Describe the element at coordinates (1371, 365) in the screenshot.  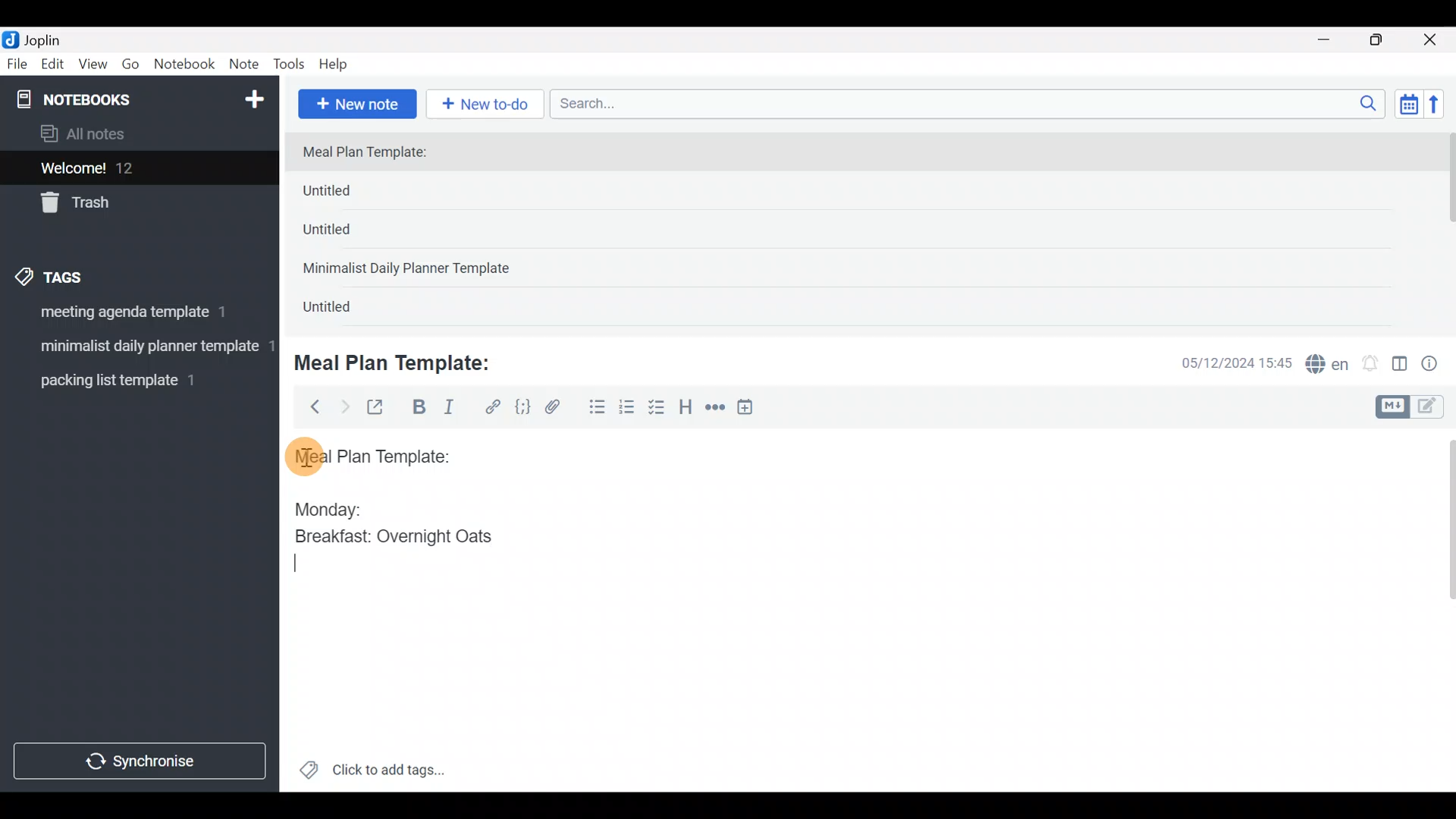
I see `Set alarm` at that location.